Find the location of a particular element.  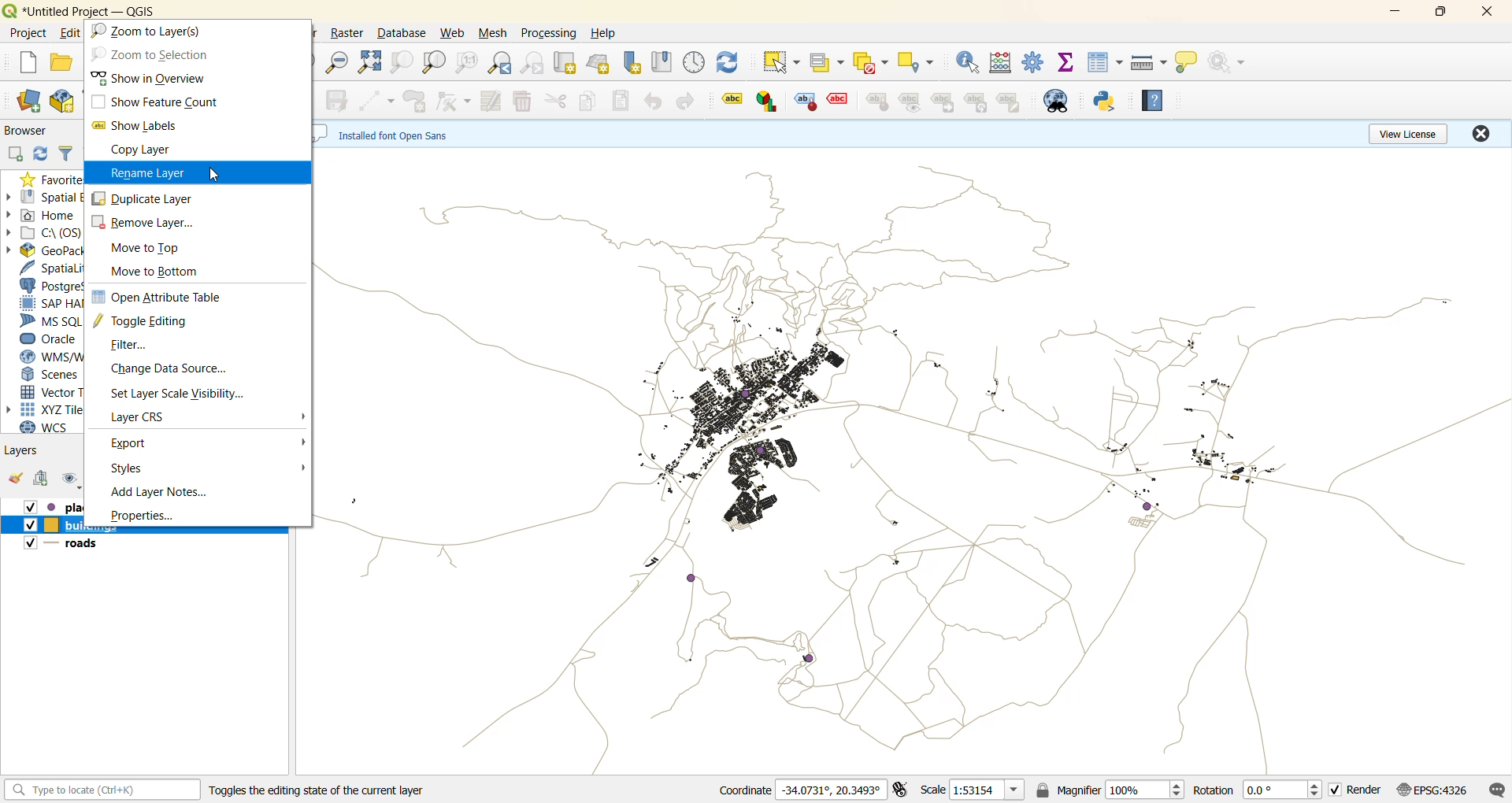

file name and app name is located at coordinates (91, 9).